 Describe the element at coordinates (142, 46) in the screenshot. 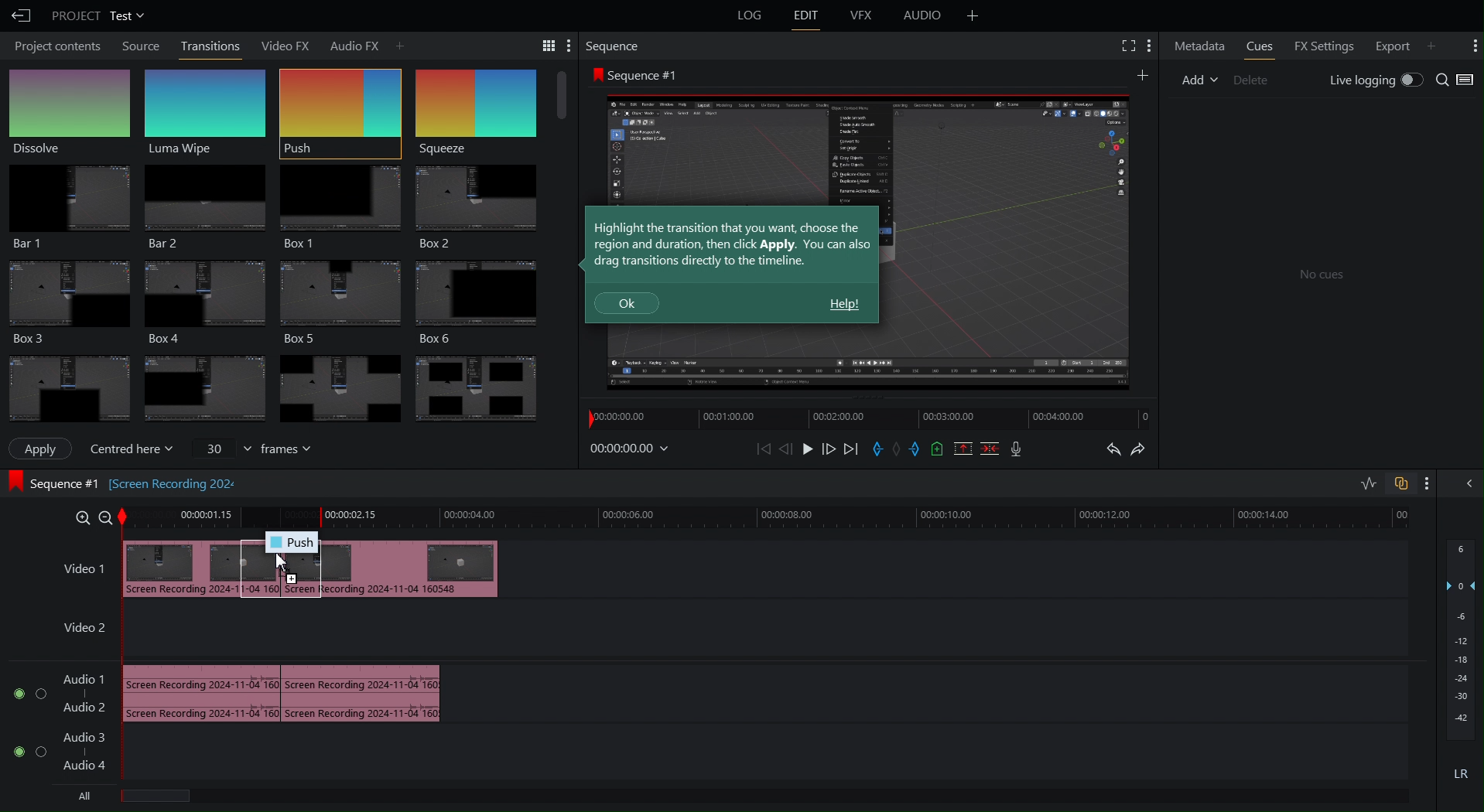

I see `Source` at that location.